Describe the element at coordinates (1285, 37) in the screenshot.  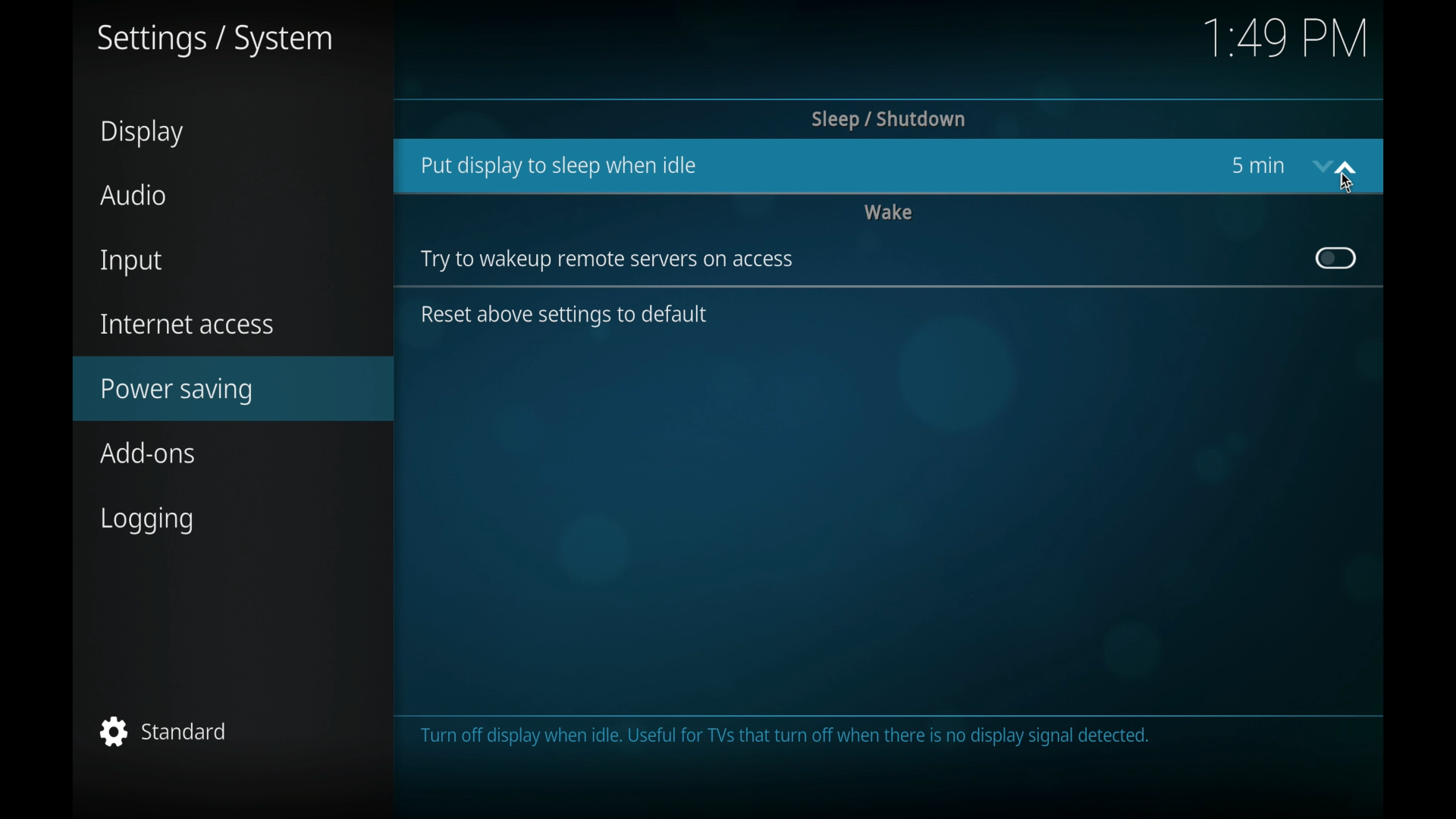
I see `time` at that location.